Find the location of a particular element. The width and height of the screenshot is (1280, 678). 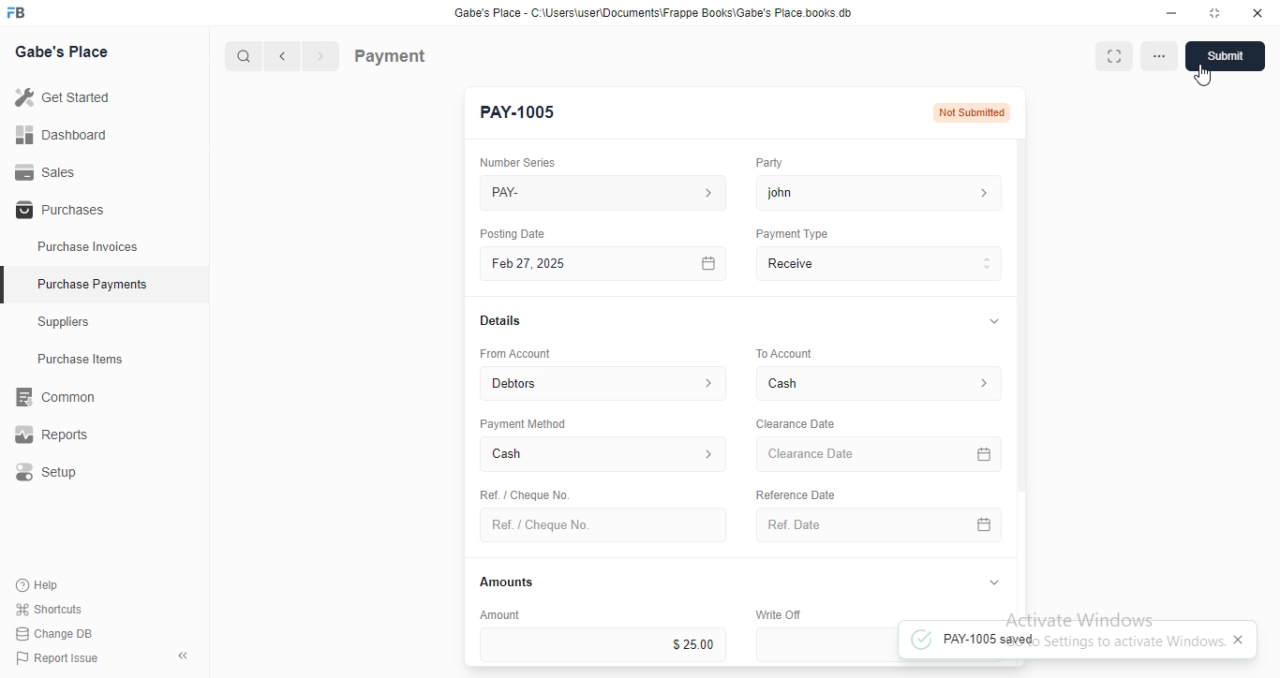

Payment is located at coordinates (391, 55).